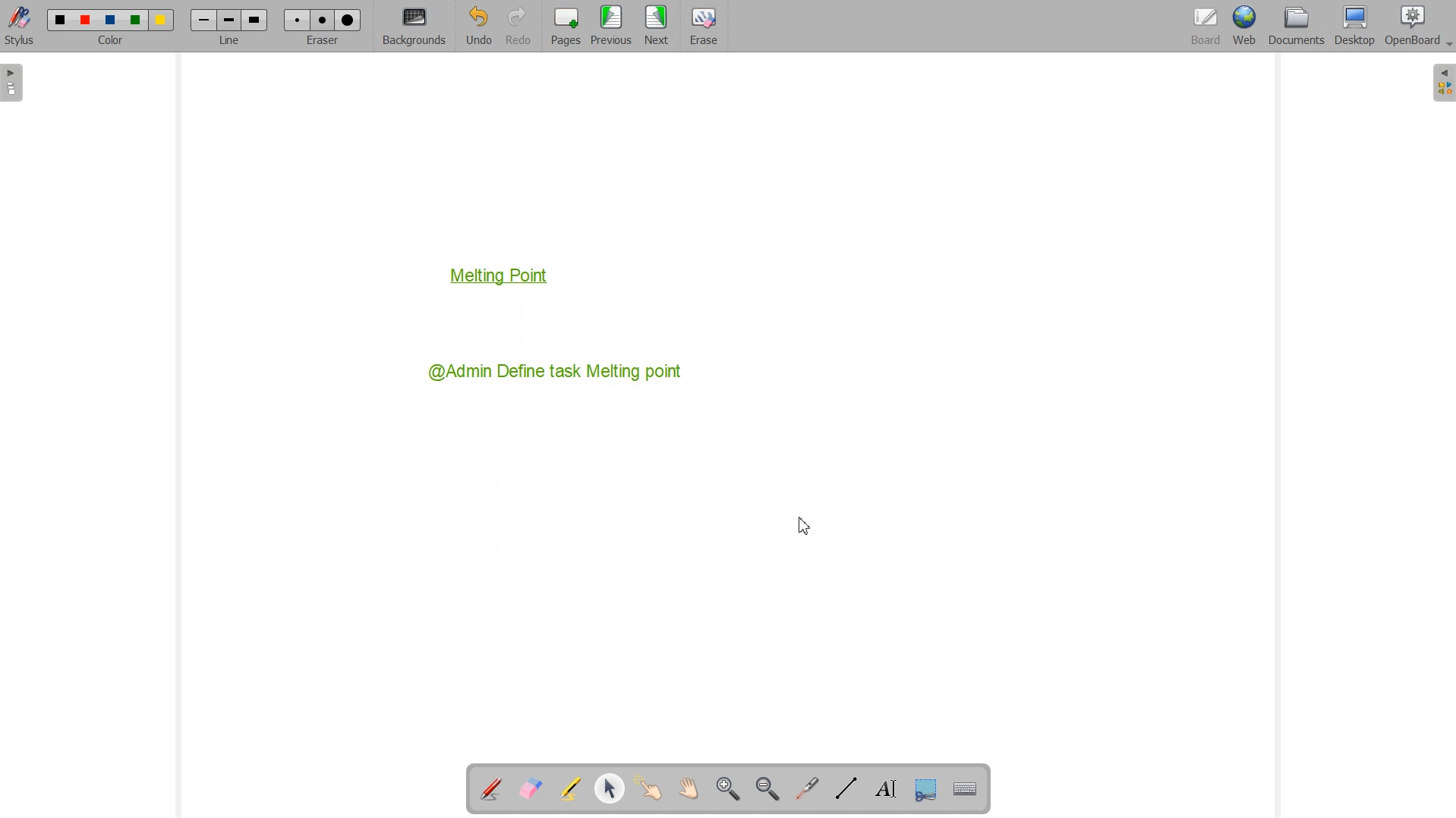 The width and height of the screenshot is (1456, 818). What do you see at coordinates (963, 787) in the screenshot?
I see `Display virtual Keyboard` at bounding box center [963, 787].